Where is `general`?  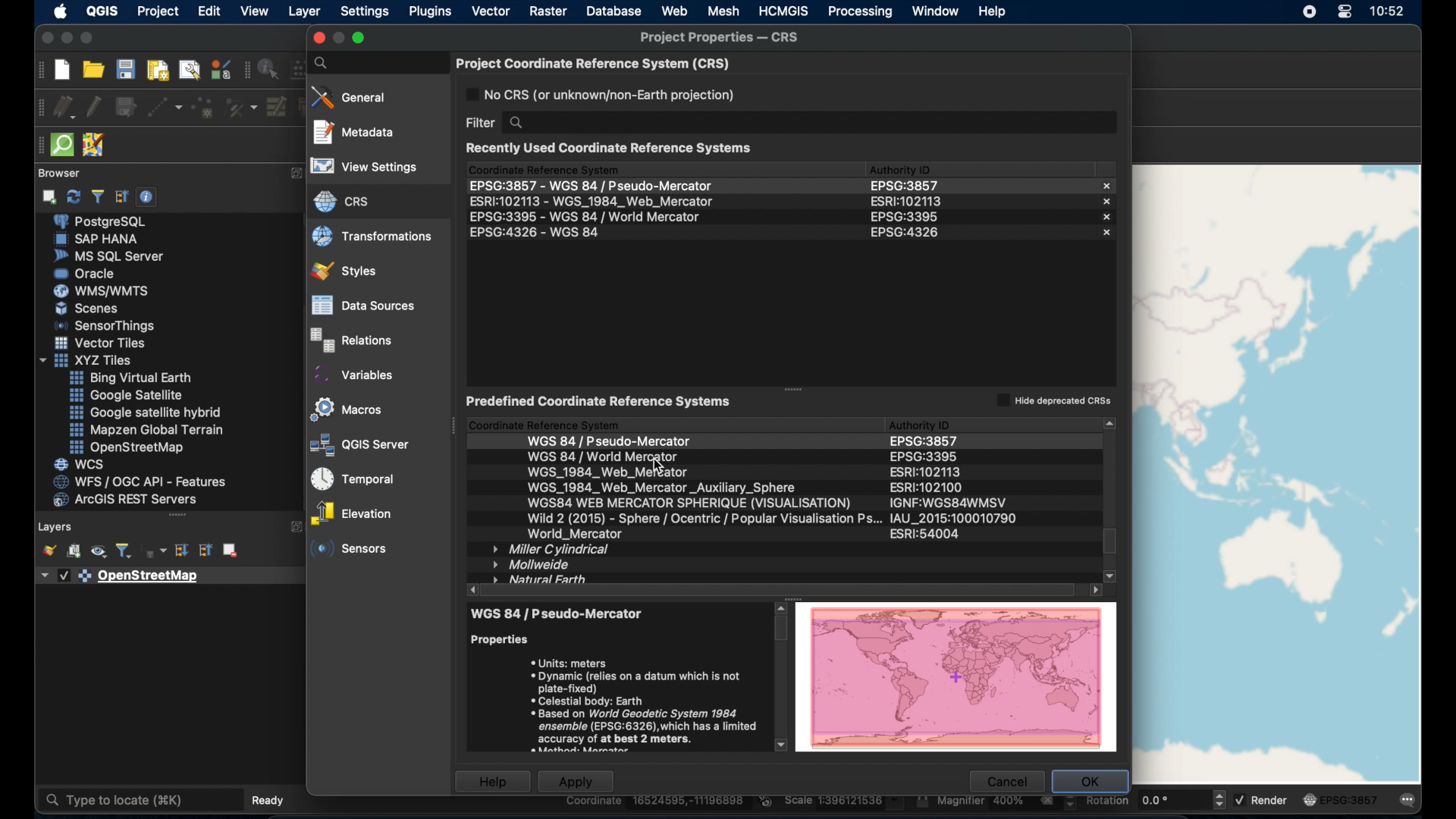 general is located at coordinates (350, 97).